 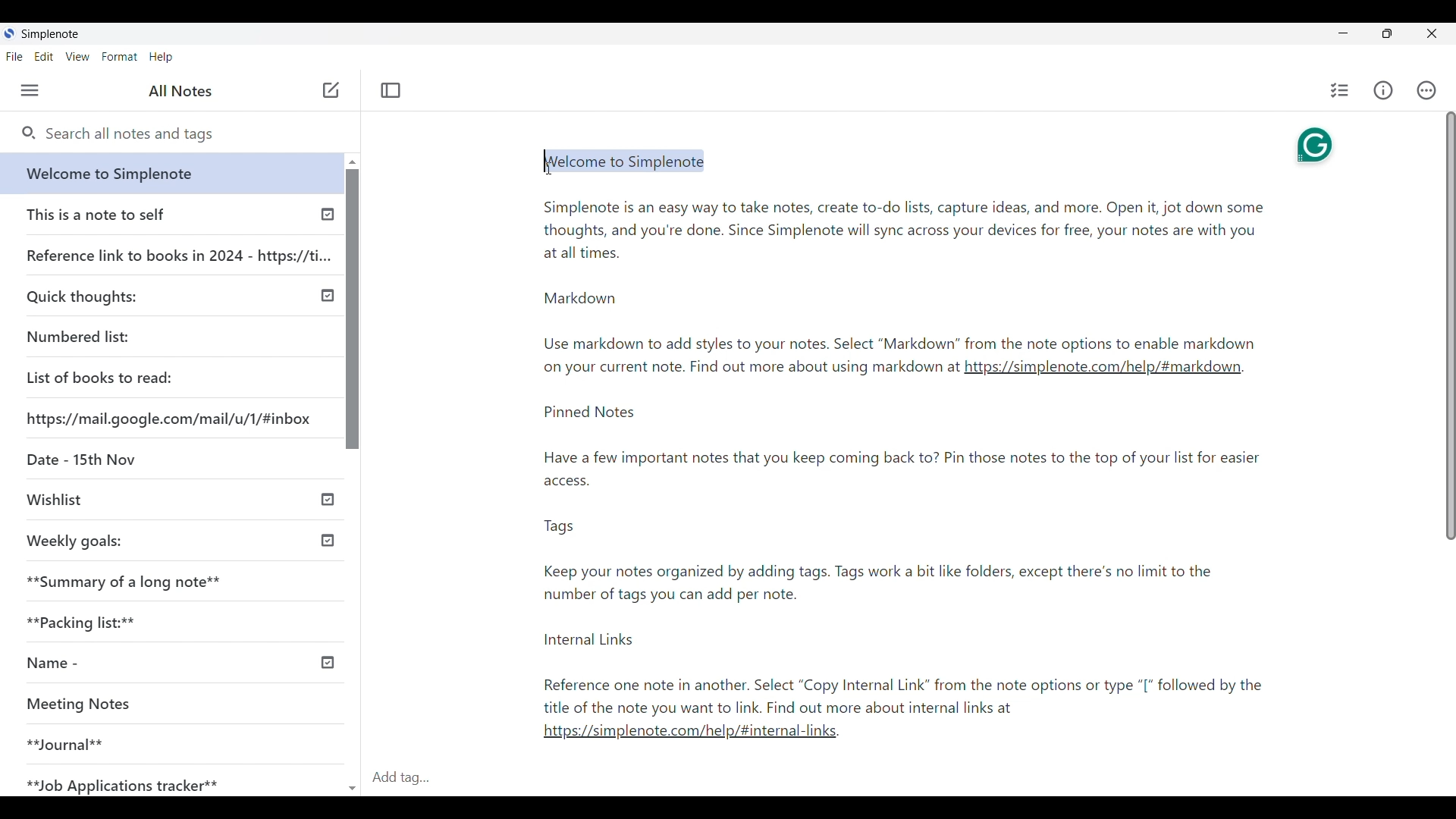 What do you see at coordinates (78, 56) in the screenshot?
I see `View menu ` at bounding box center [78, 56].